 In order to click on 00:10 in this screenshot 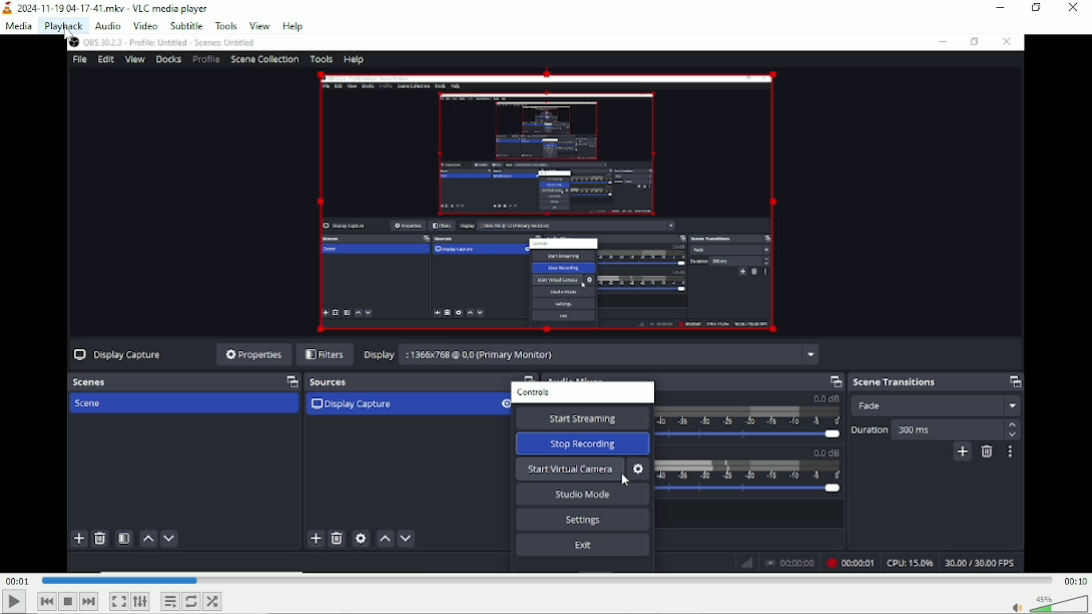, I will do `click(1076, 580)`.